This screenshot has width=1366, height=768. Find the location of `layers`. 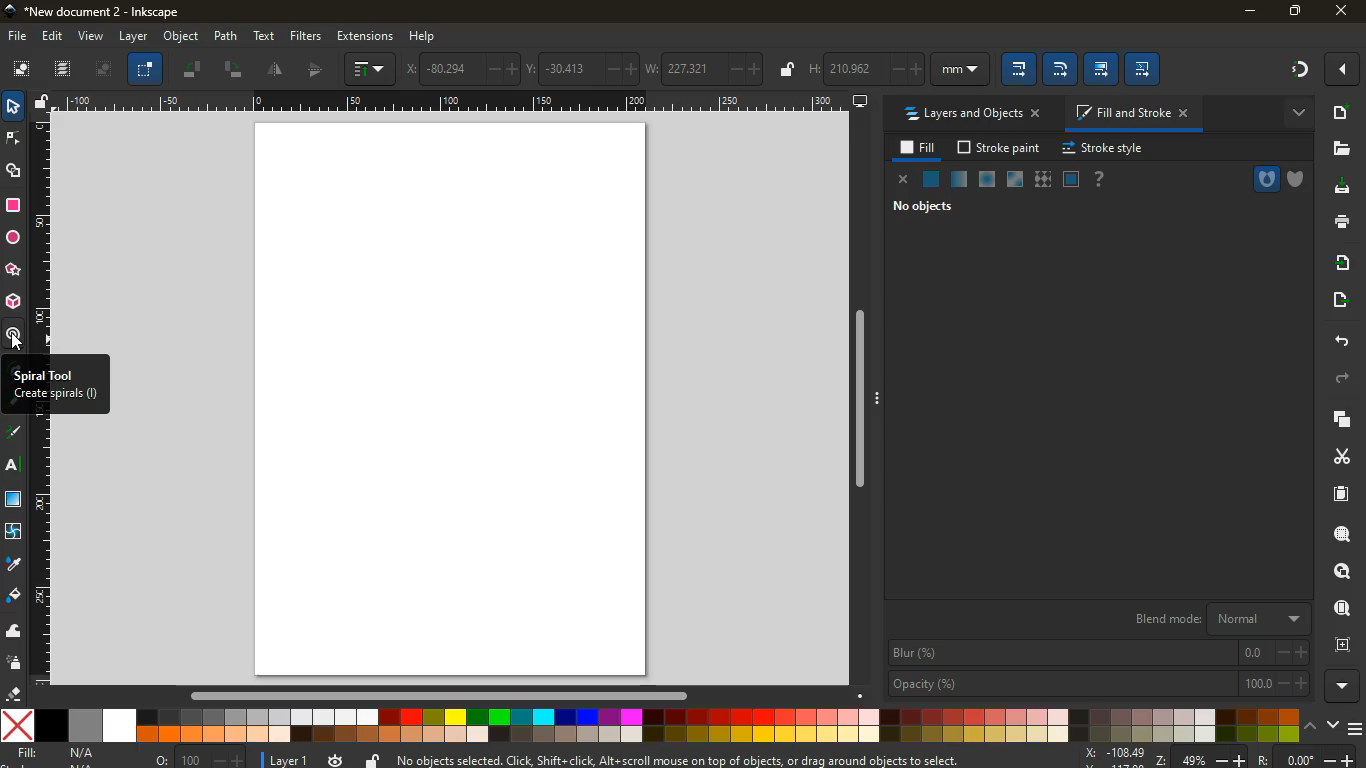

layers is located at coordinates (64, 69).